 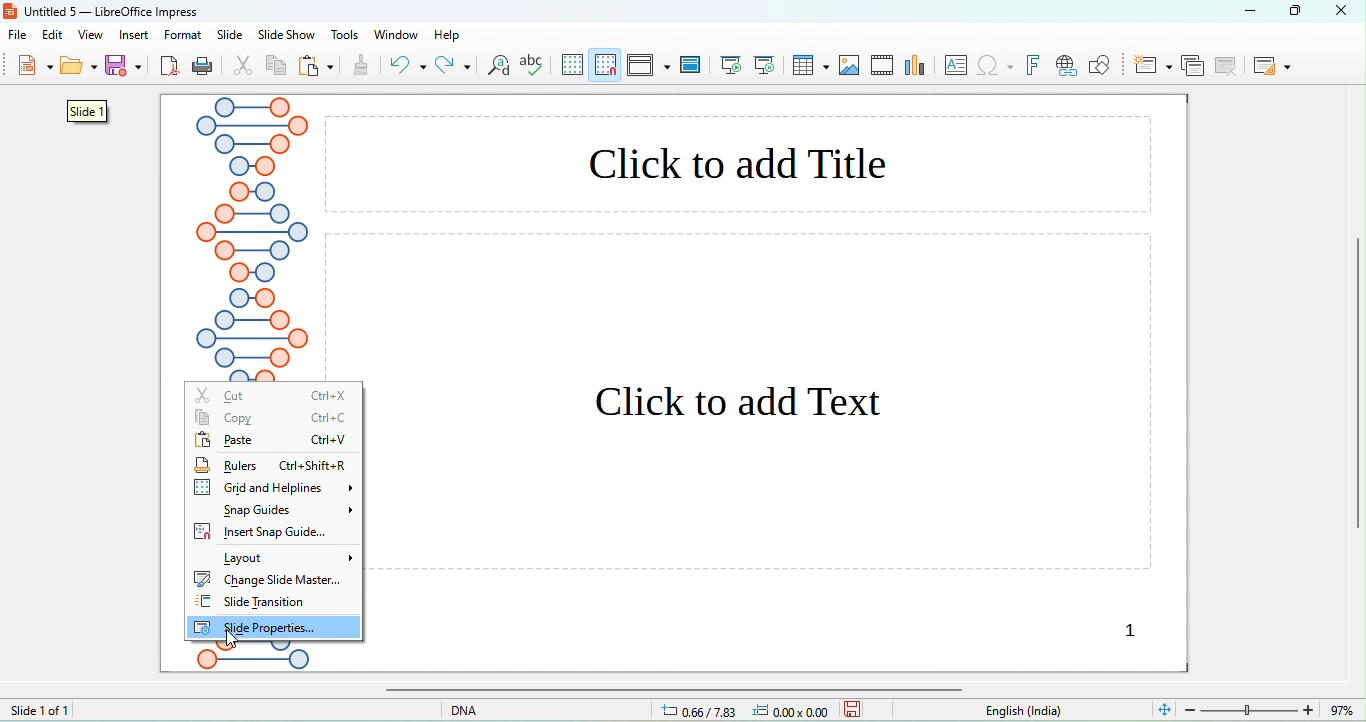 I want to click on close, so click(x=1347, y=10).